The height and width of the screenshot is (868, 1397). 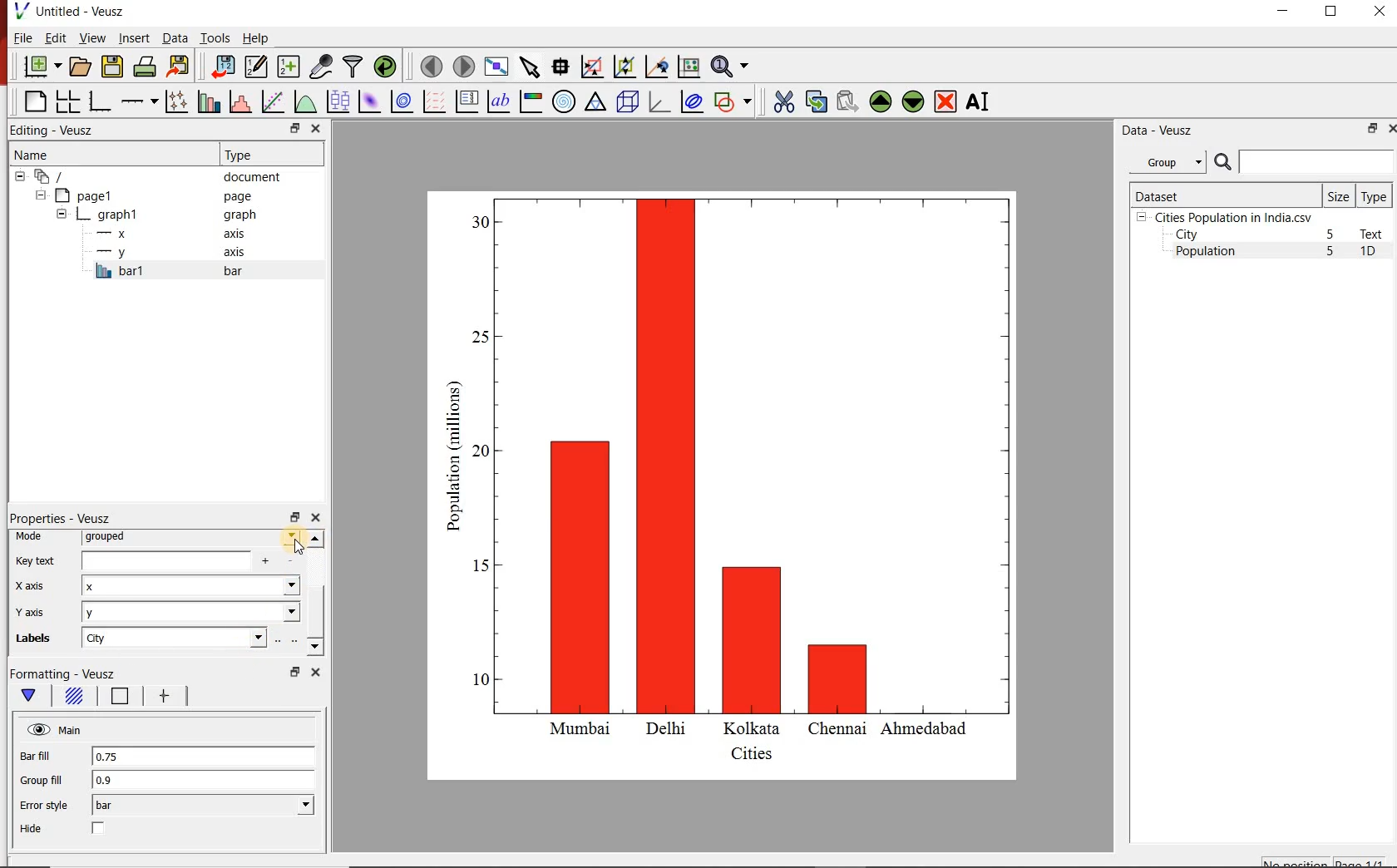 What do you see at coordinates (238, 101) in the screenshot?
I see `histogram of a dataset` at bounding box center [238, 101].